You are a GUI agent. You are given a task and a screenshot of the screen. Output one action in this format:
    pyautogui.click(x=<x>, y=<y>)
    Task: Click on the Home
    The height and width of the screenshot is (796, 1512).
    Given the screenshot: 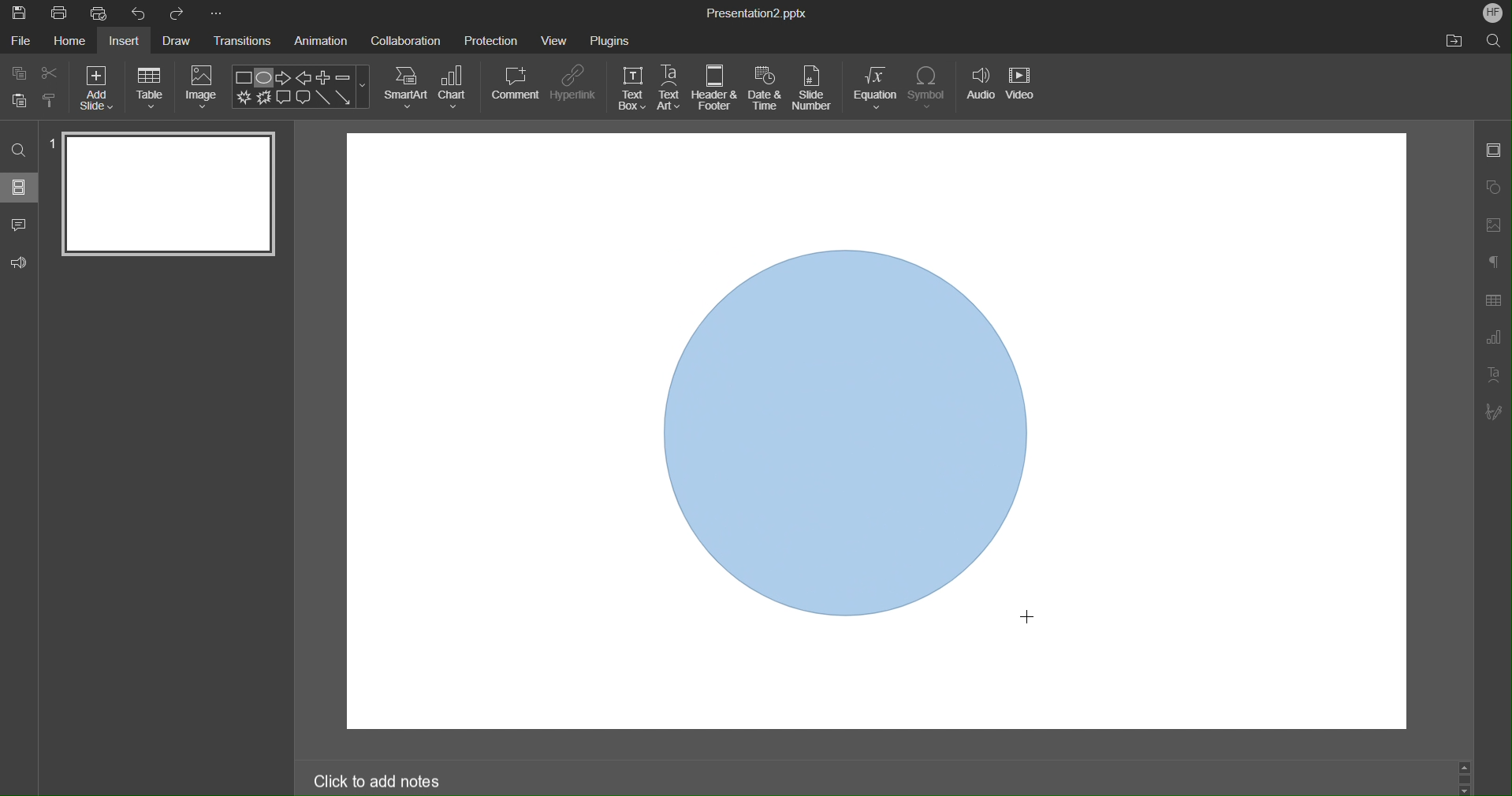 What is the action you would take?
    pyautogui.click(x=68, y=42)
    